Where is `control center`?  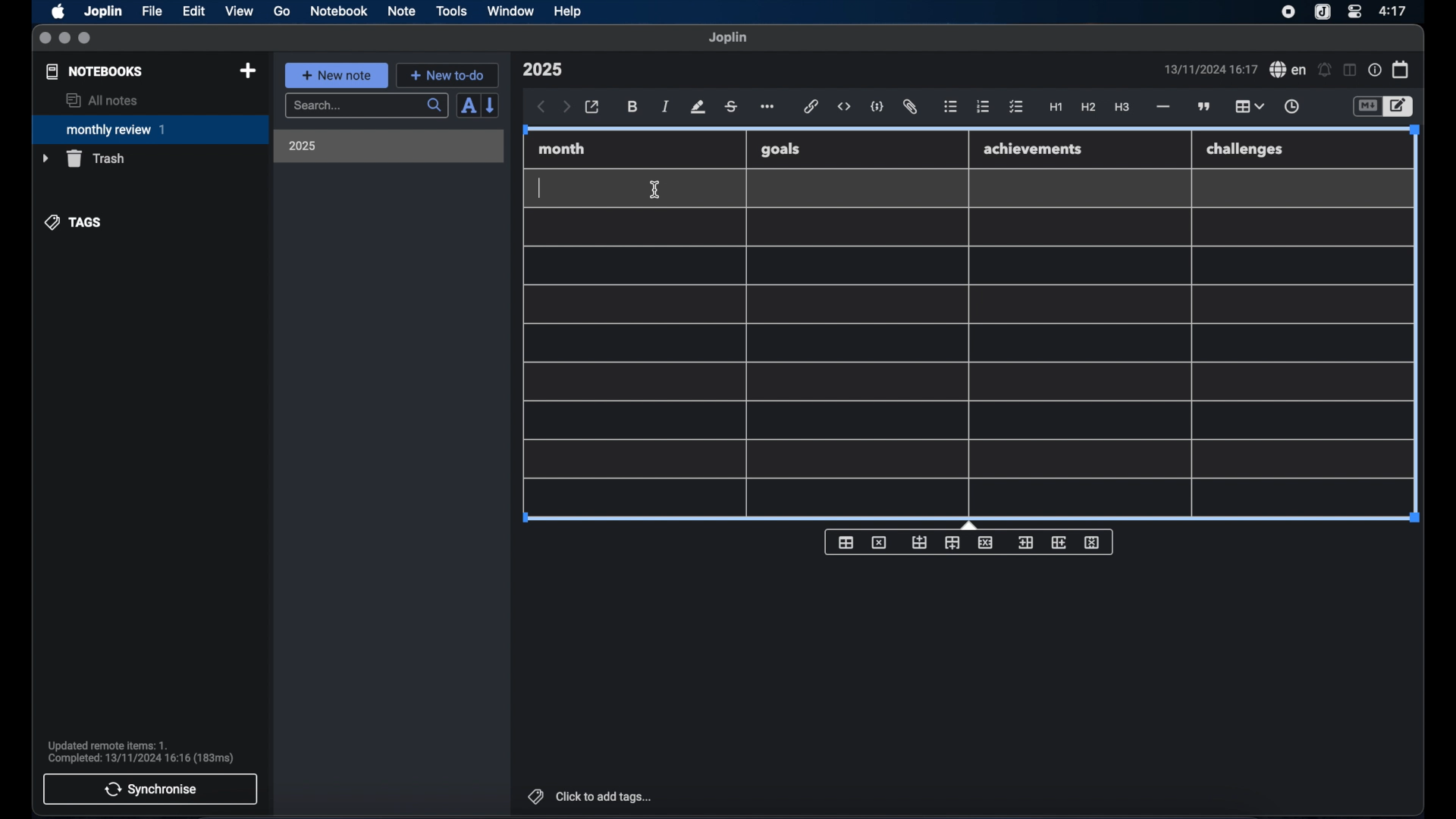 control center is located at coordinates (1354, 11).